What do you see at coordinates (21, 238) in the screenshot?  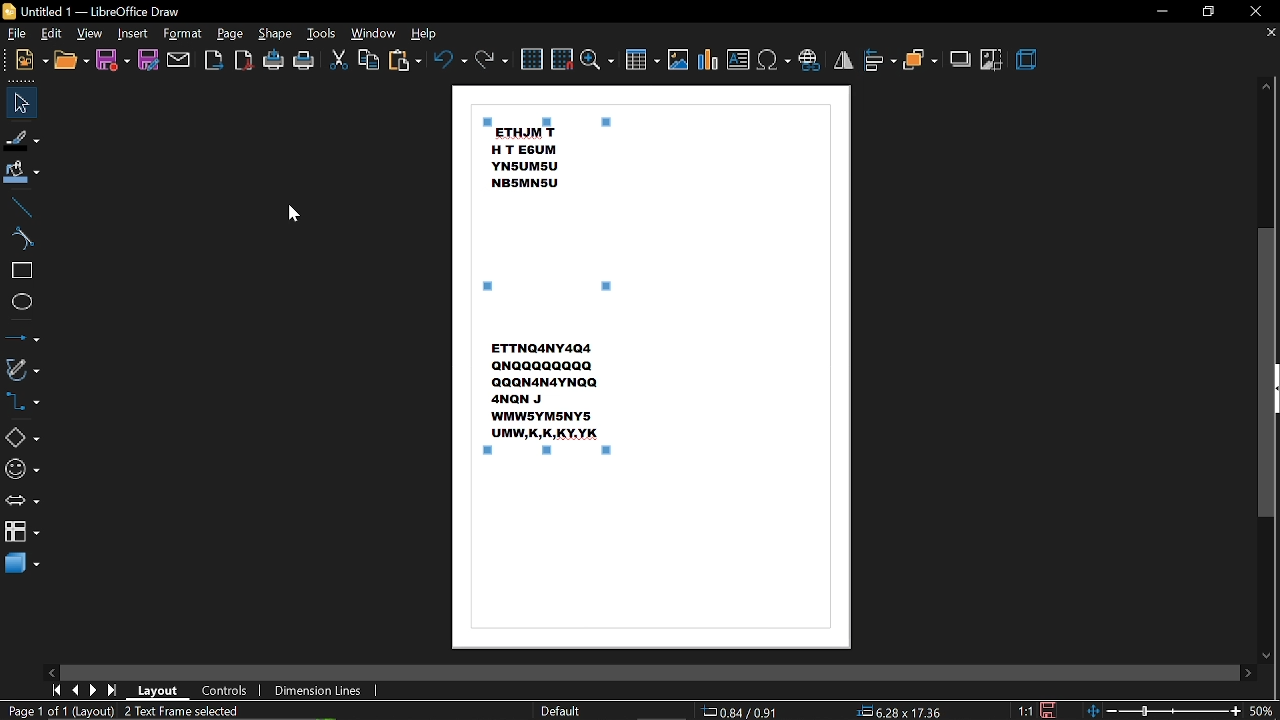 I see `curve` at bounding box center [21, 238].